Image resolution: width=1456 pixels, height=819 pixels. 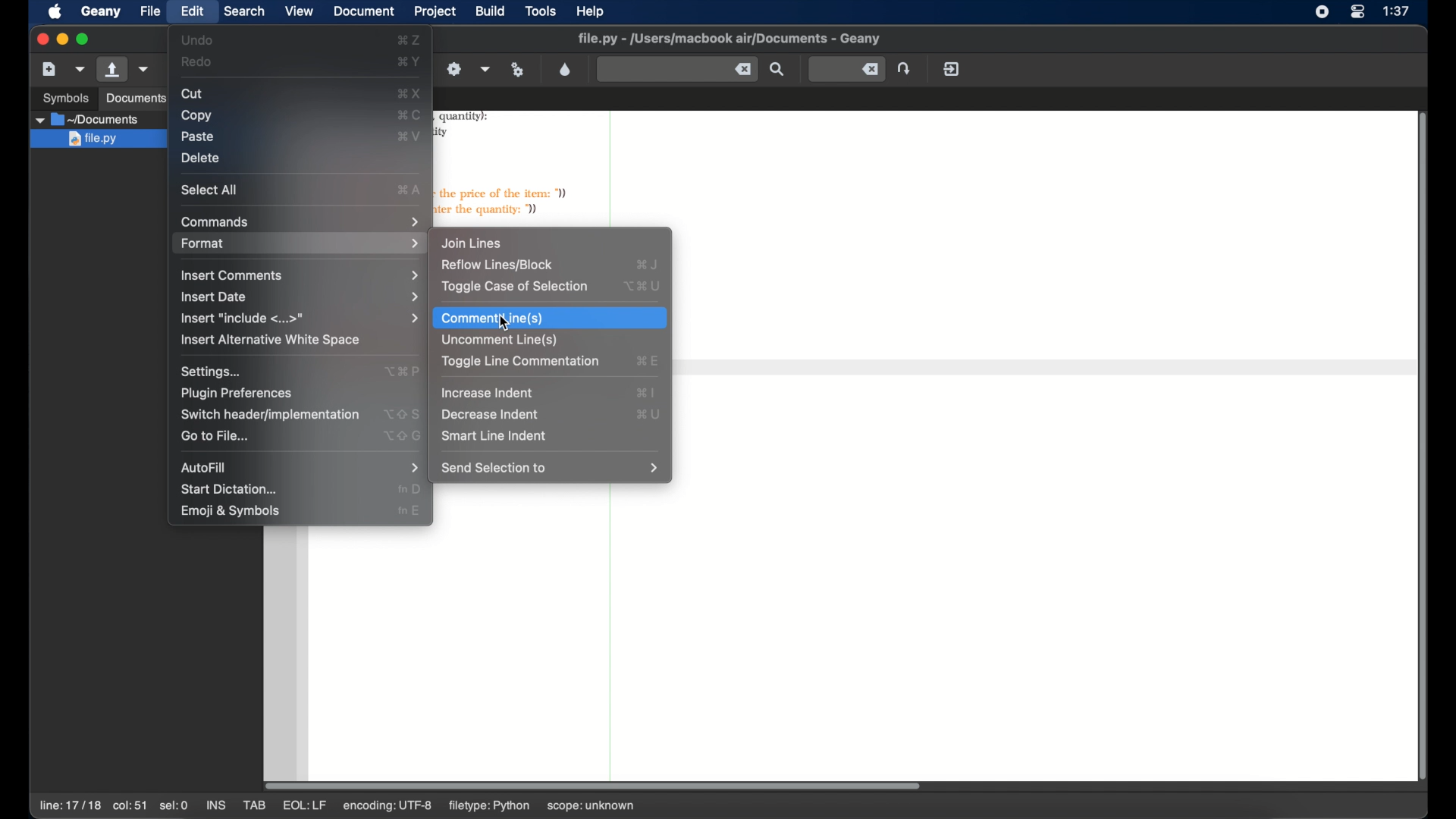 I want to click on help, so click(x=591, y=11).